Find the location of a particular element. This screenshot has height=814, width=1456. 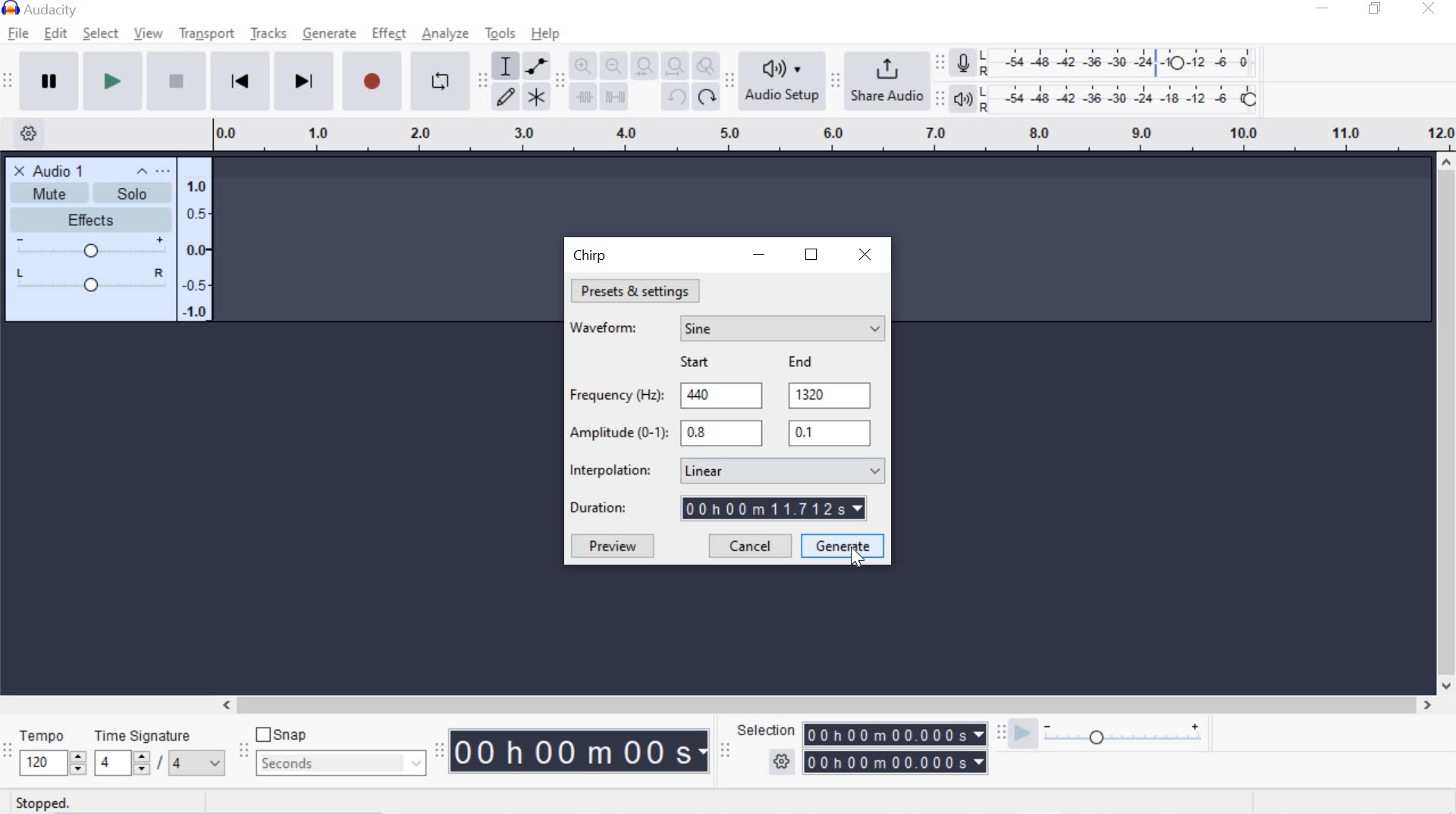

undo is located at coordinates (673, 96).